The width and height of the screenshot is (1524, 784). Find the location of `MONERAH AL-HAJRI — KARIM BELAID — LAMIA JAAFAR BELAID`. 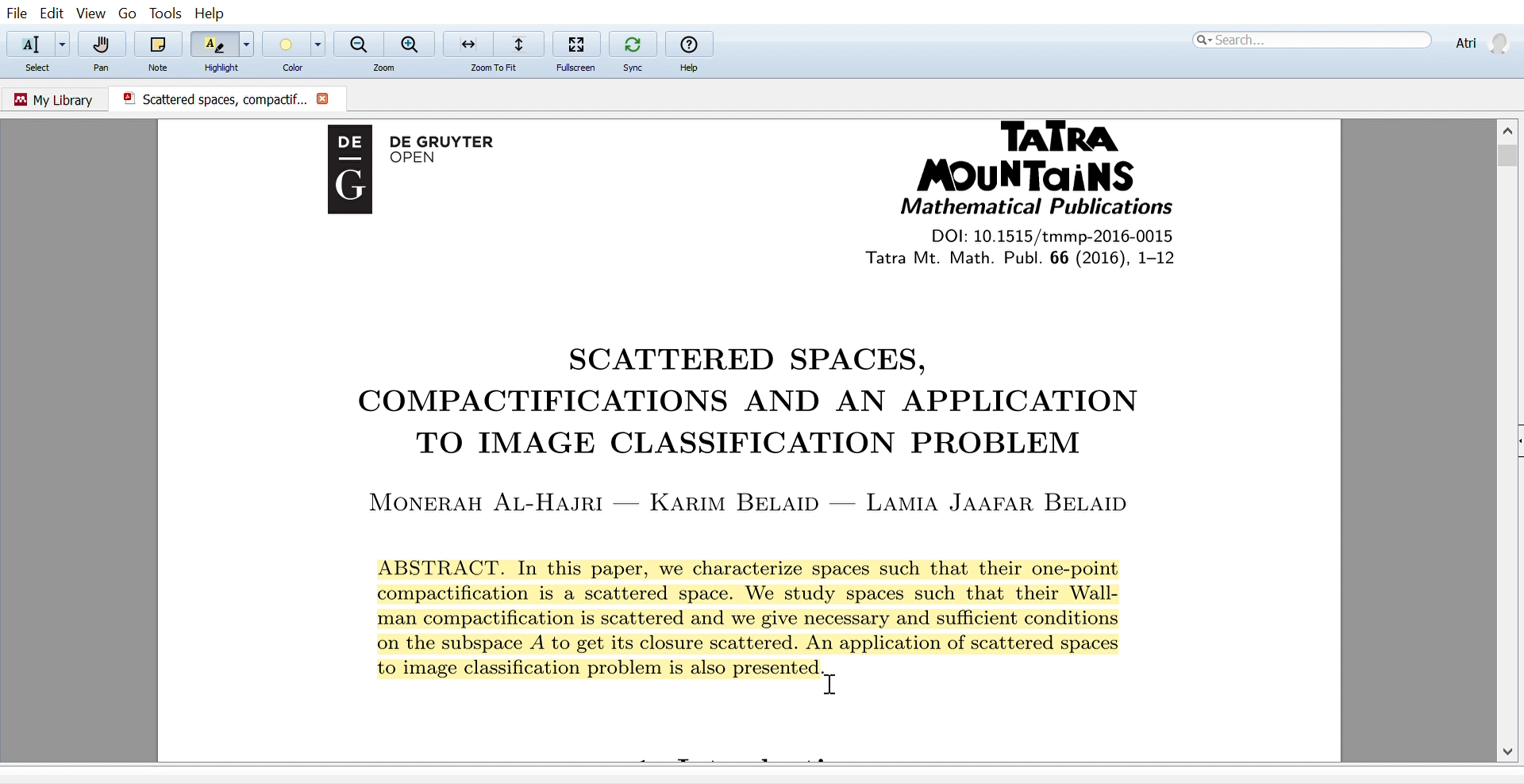

MONERAH AL-HAJRI — KARIM BELAID — LAMIA JAAFAR BELAID is located at coordinates (754, 501).